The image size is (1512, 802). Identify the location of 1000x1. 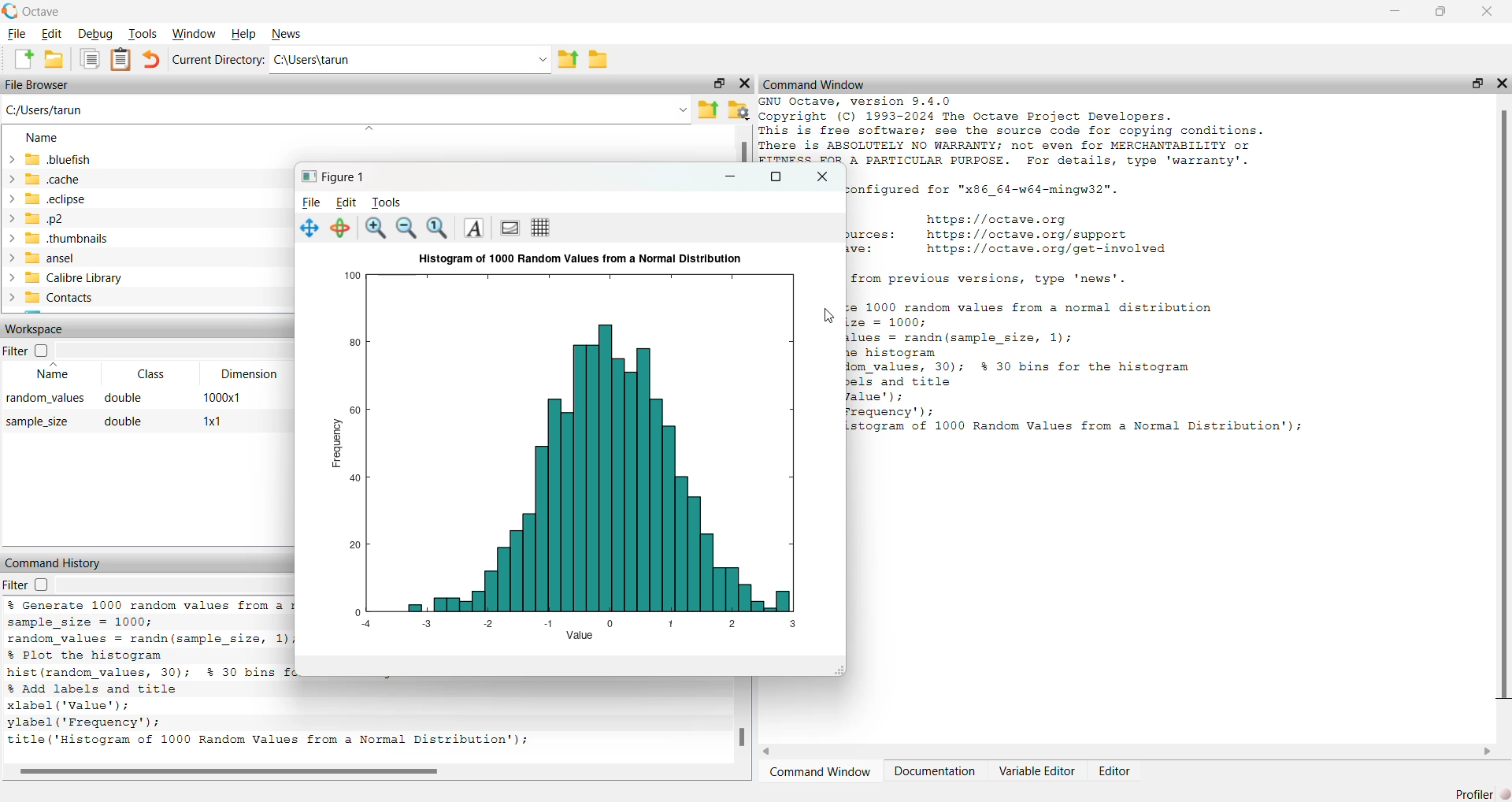
(221, 396).